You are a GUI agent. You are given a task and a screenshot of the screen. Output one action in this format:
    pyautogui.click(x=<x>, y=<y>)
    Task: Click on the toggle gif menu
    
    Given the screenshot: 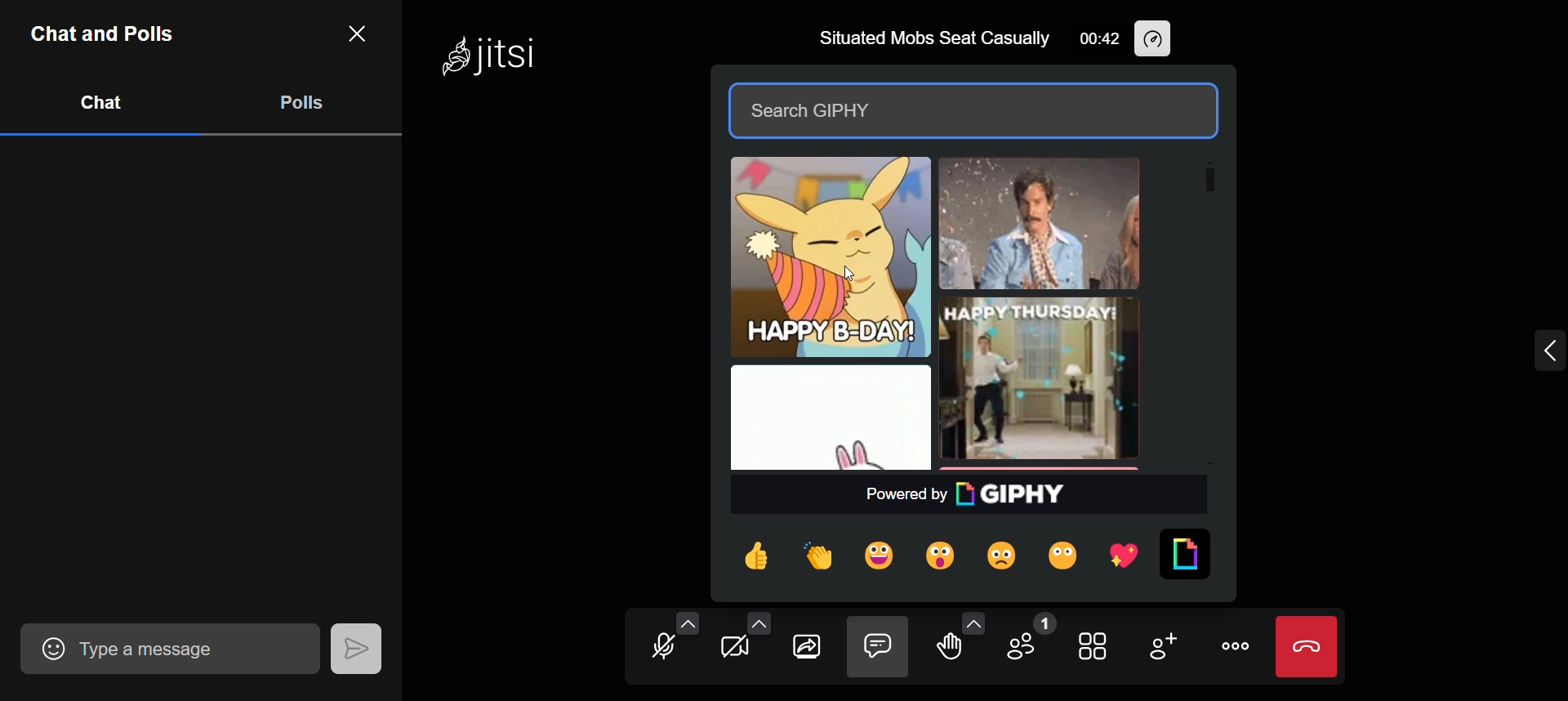 What is the action you would take?
    pyautogui.click(x=1190, y=554)
    